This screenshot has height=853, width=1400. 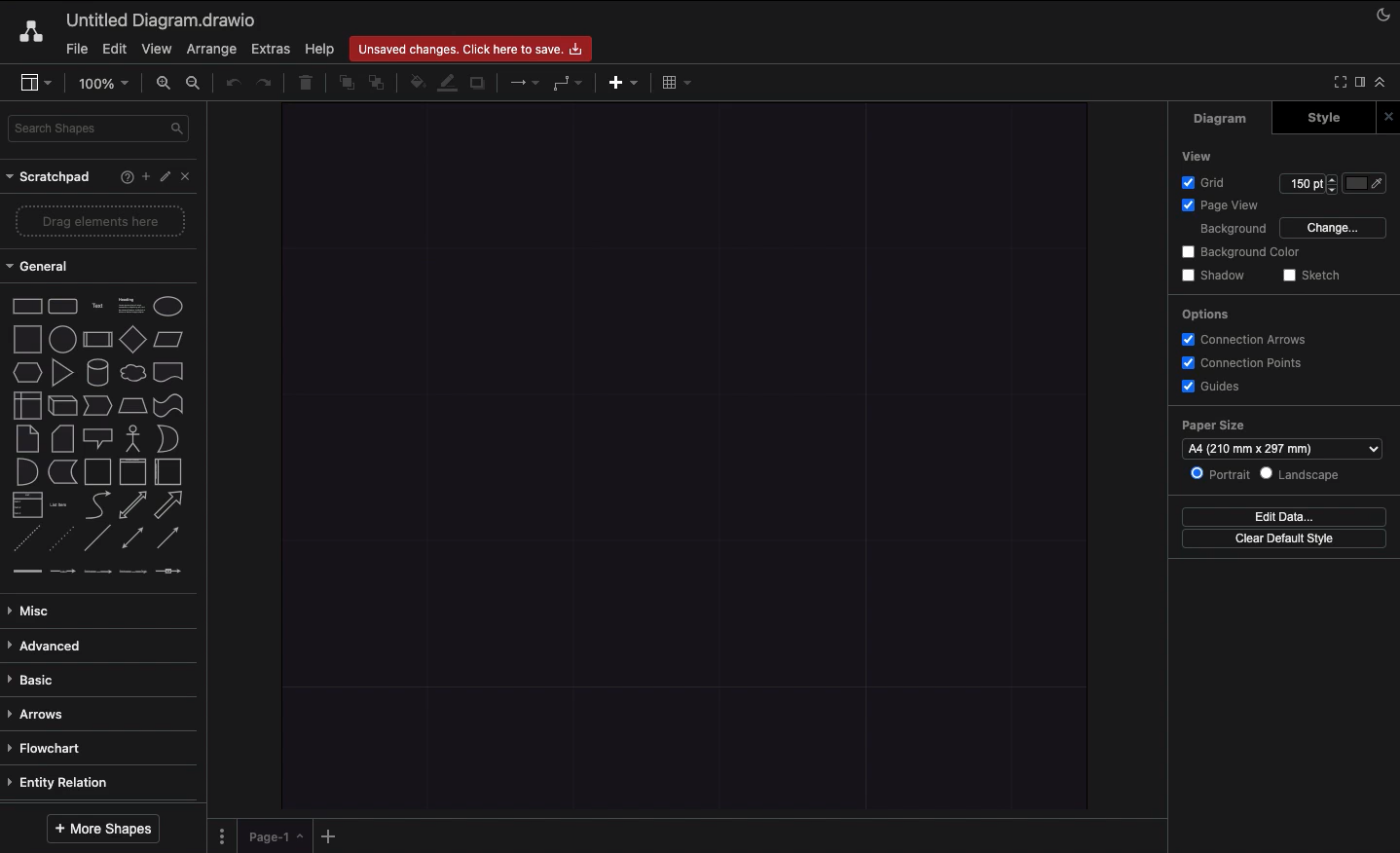 I want to click on Search shapes, so click(x=98, y=130).